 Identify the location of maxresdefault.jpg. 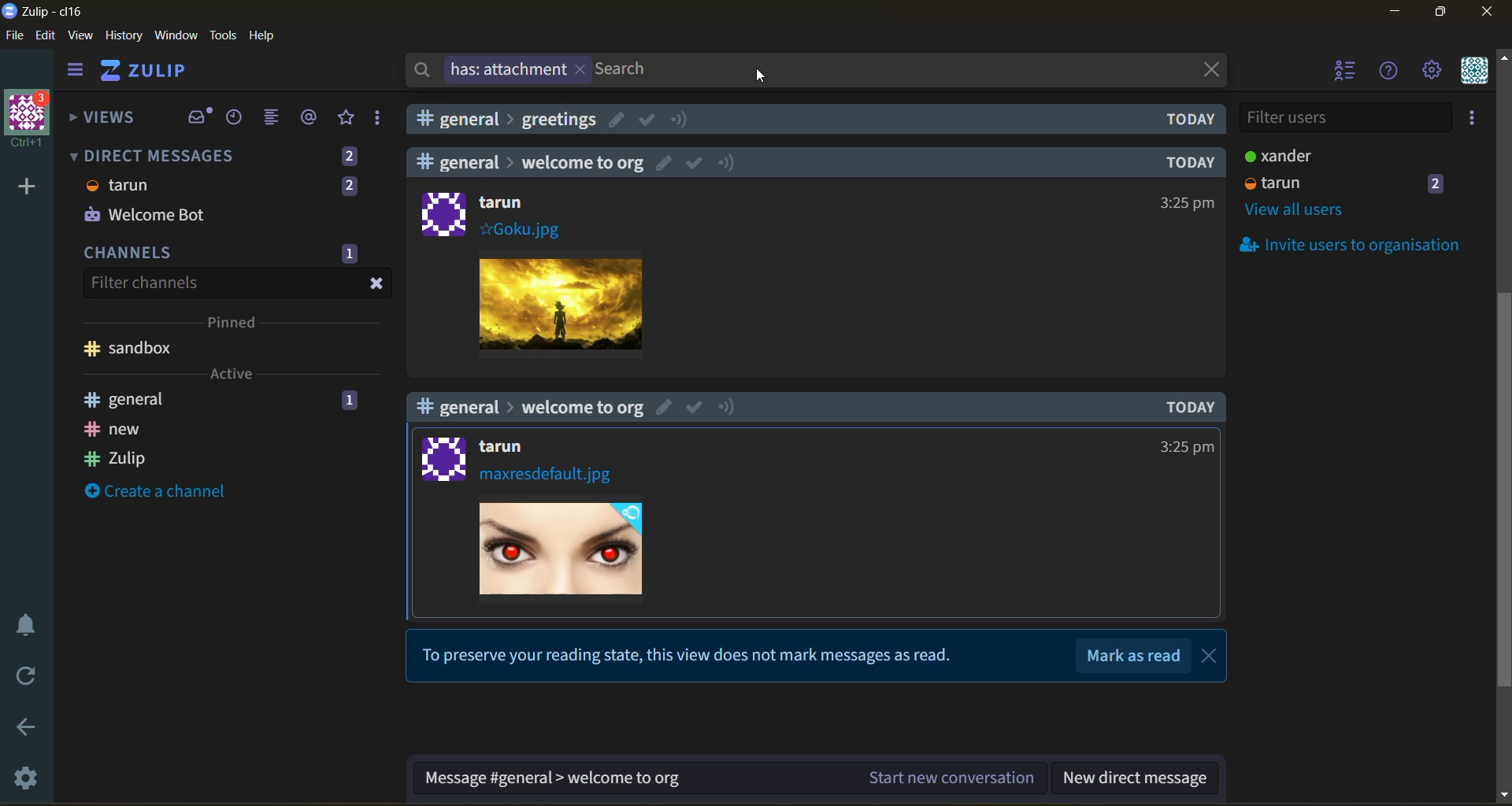
(547, 476).